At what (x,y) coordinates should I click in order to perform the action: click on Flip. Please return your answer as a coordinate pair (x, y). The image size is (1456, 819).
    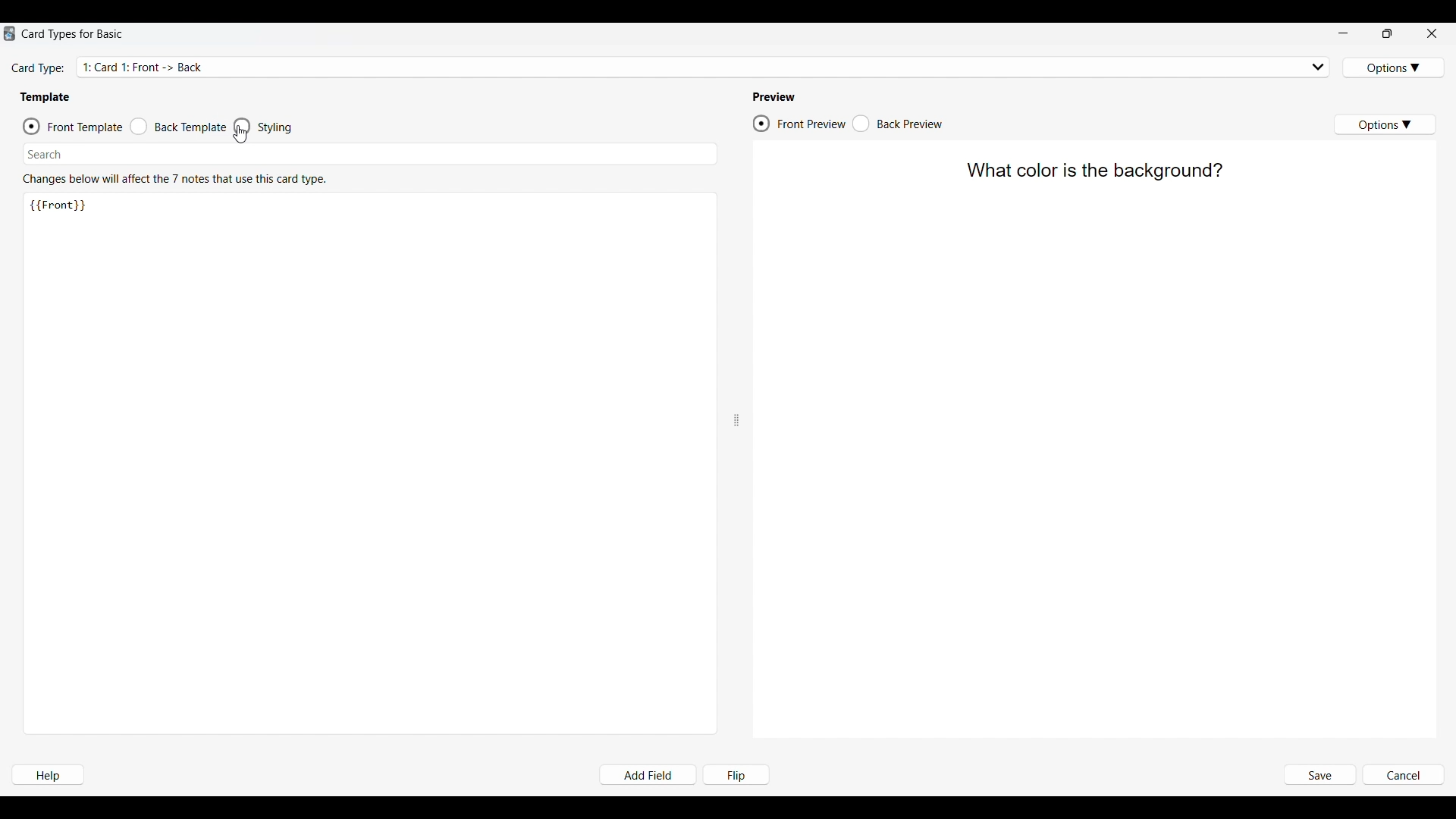
    Looking at the image, I should click on (736, 774).